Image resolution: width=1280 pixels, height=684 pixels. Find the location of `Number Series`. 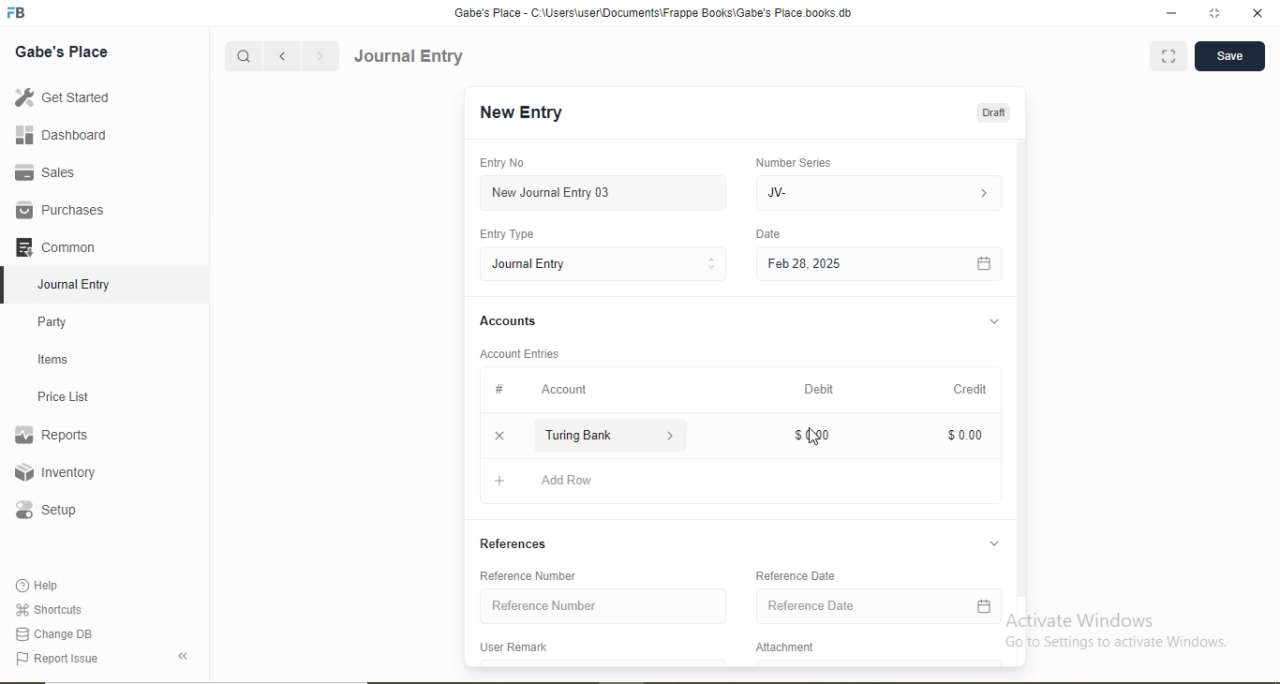

Number Series is located at coordinates (793, 163).